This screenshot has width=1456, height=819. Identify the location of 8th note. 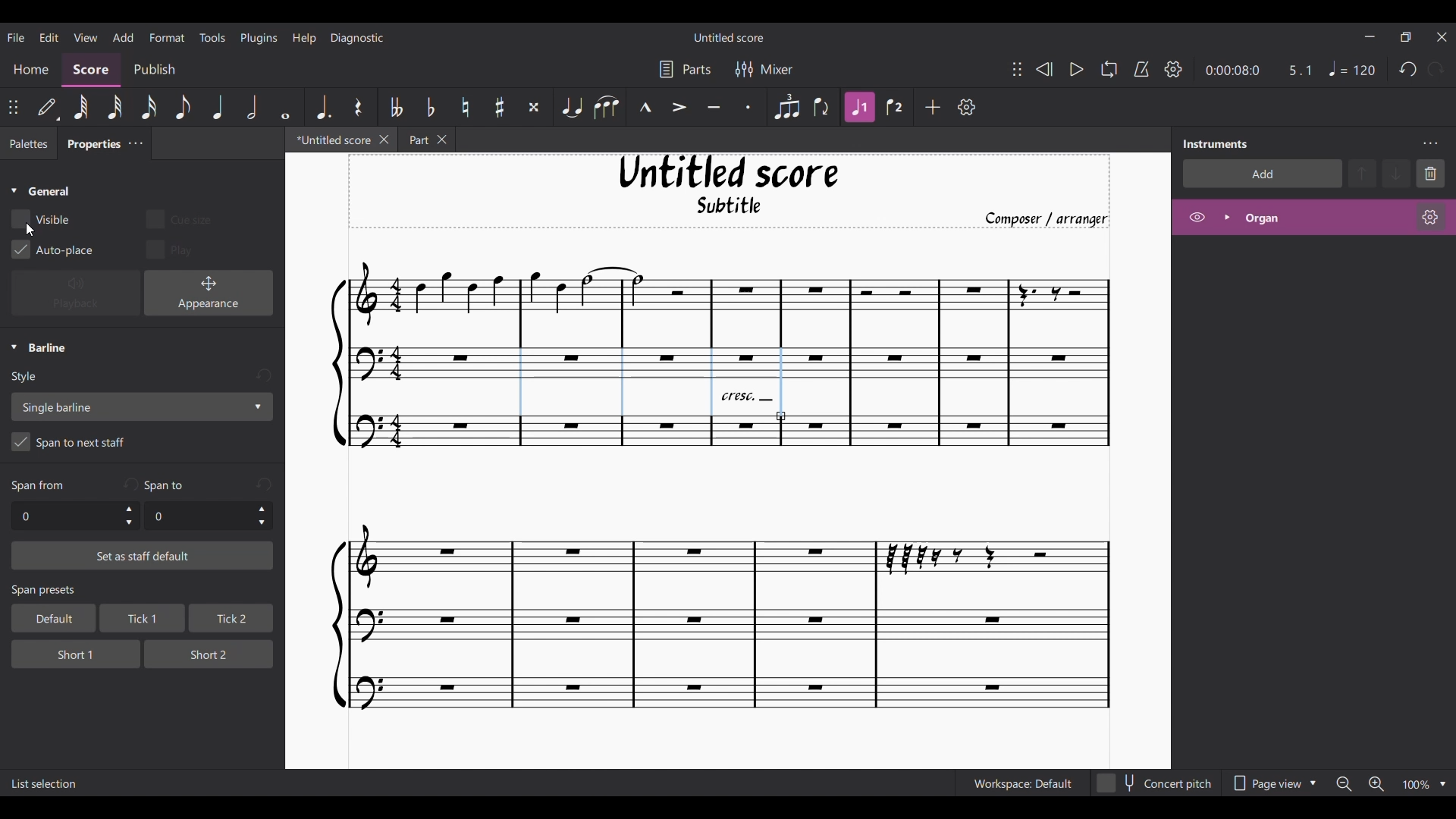
(181, 108).